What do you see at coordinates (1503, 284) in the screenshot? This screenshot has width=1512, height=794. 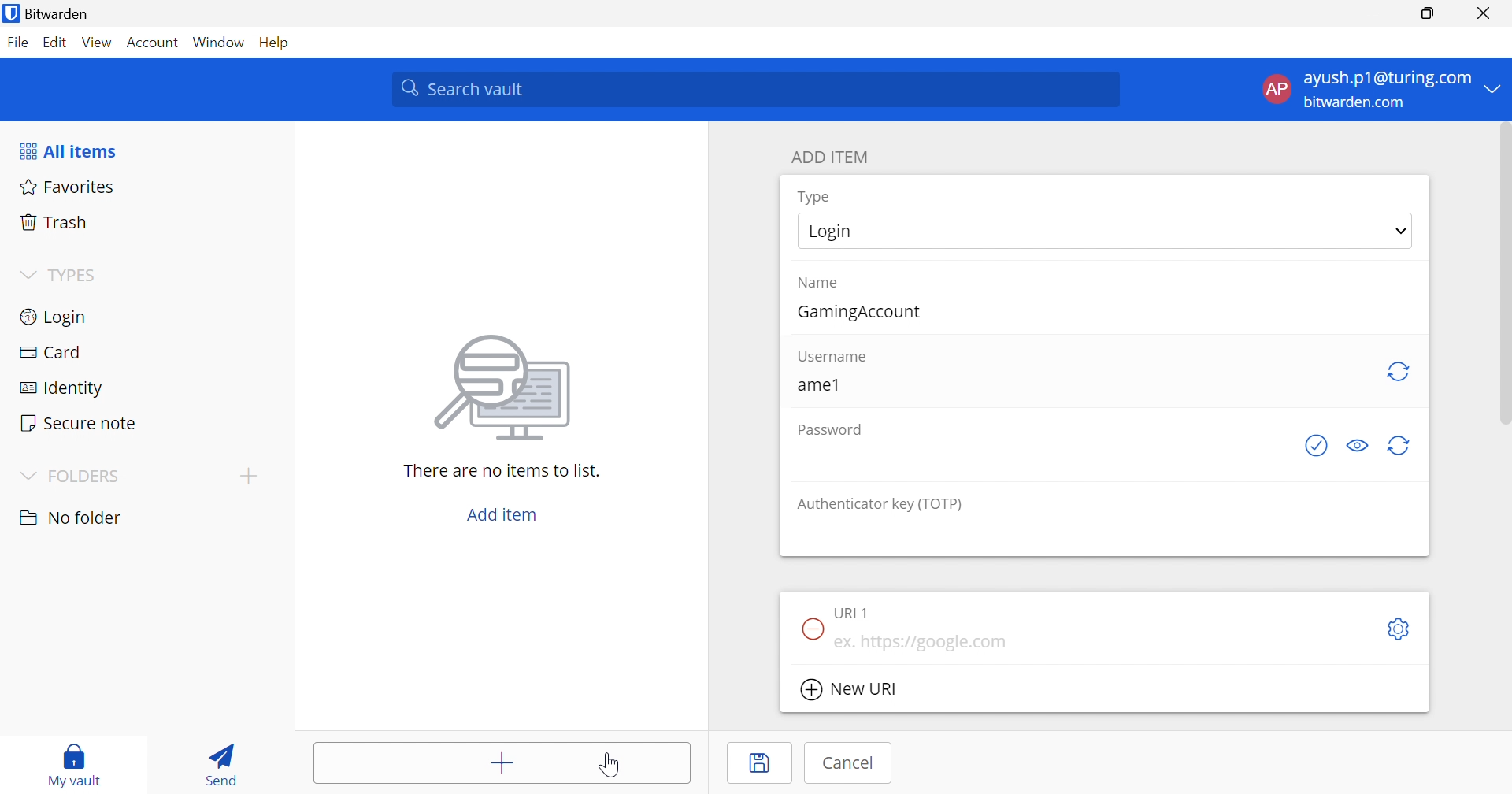 I see `scrollbar` at bounding box center [1503, 284].